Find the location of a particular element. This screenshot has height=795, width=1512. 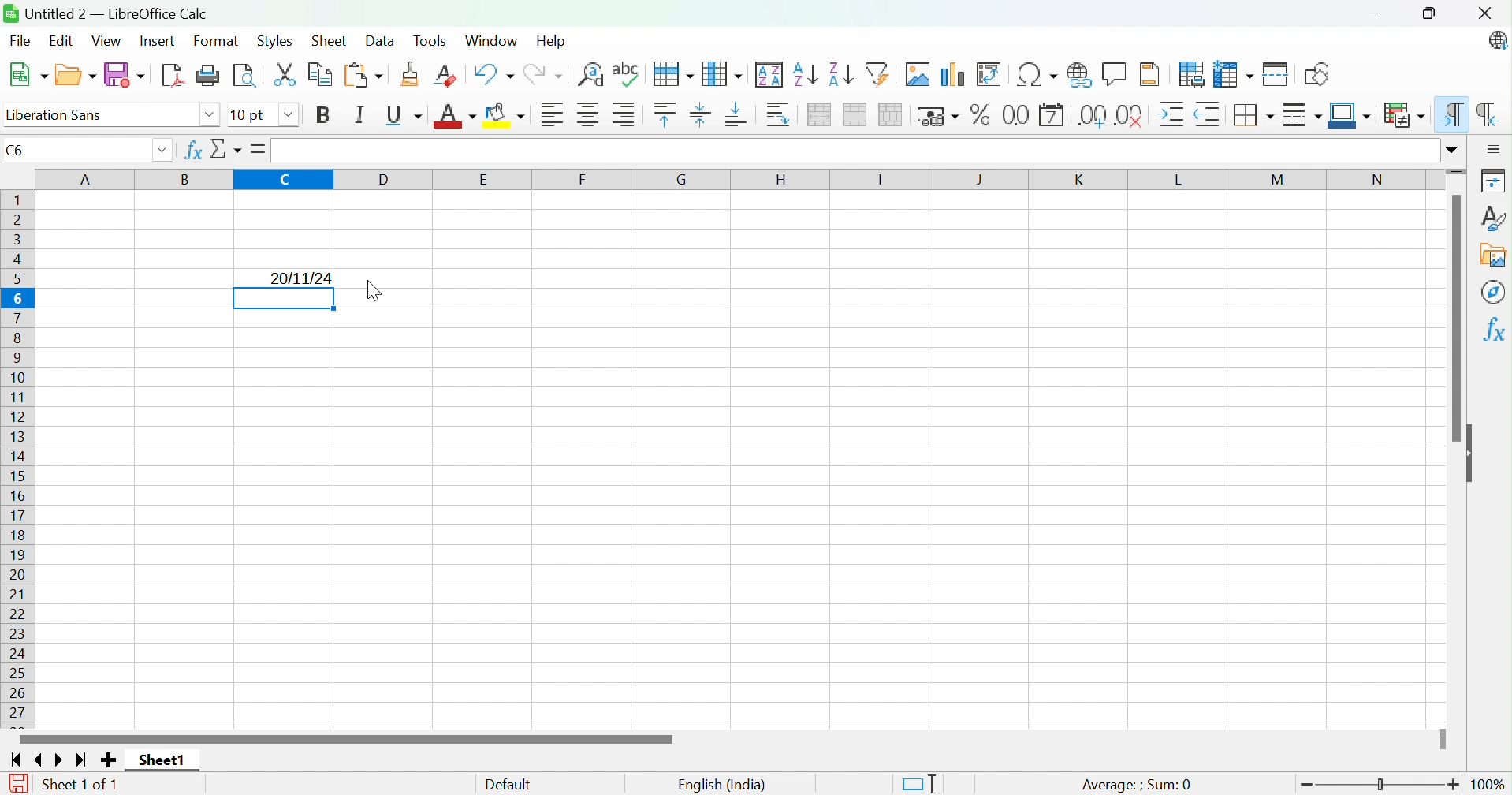

Format as number is located at coordinates (1016, 114).